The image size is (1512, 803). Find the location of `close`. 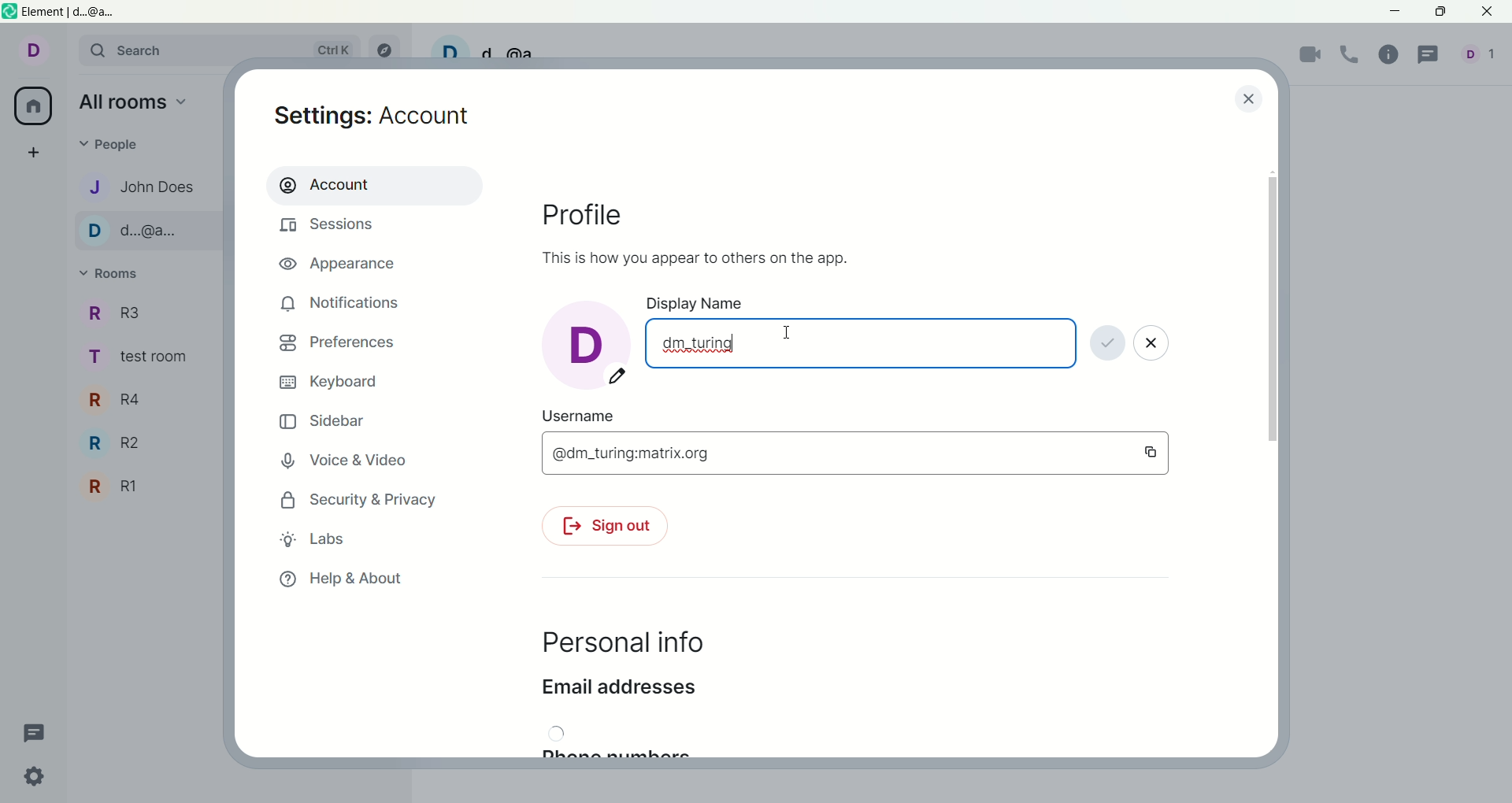

close is located at coordinates (1247, 98).